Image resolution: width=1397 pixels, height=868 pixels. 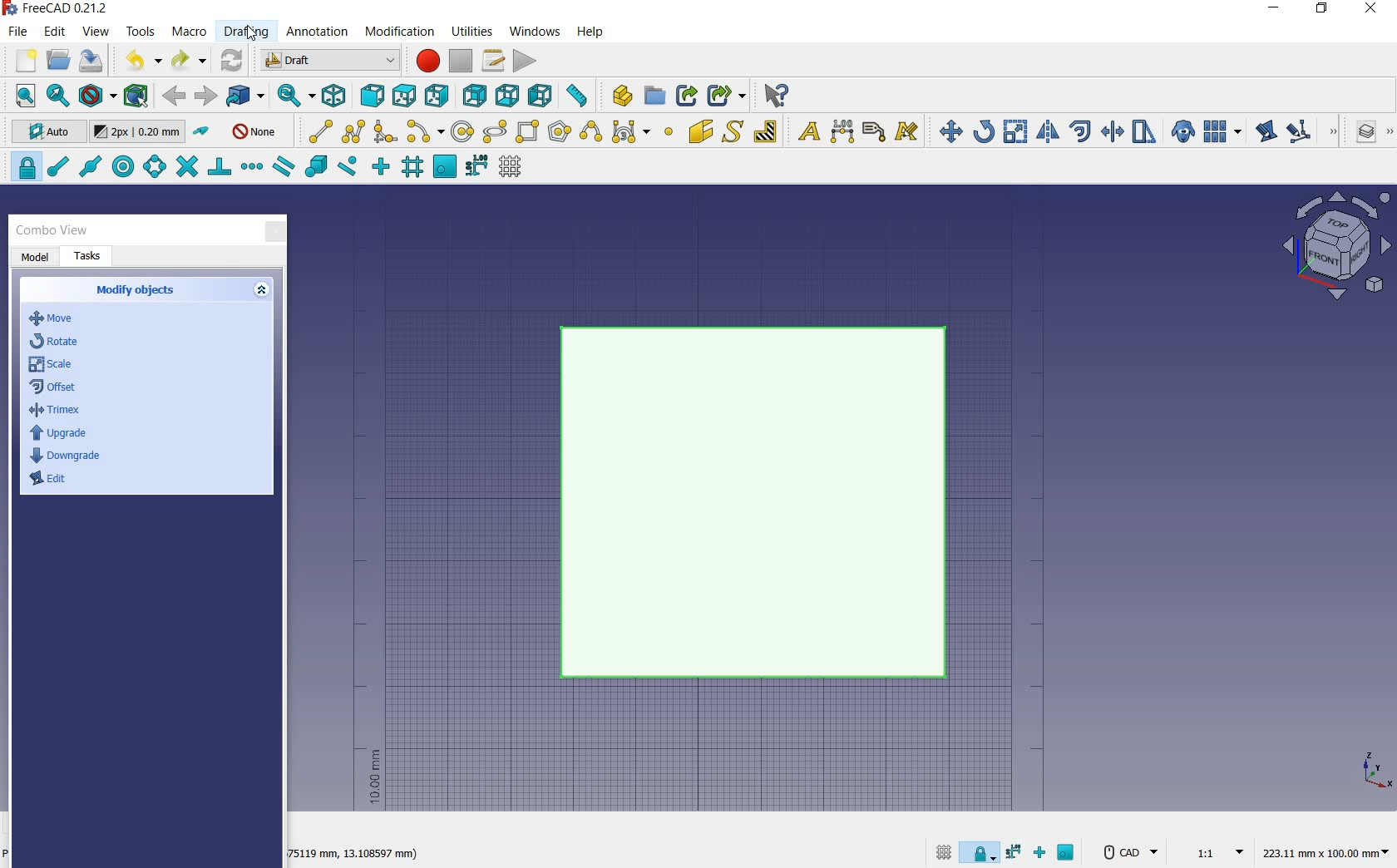 What do you see at coordinates (440, 96) in the screenshot?
I see `right` at bounding box center [440, 96].